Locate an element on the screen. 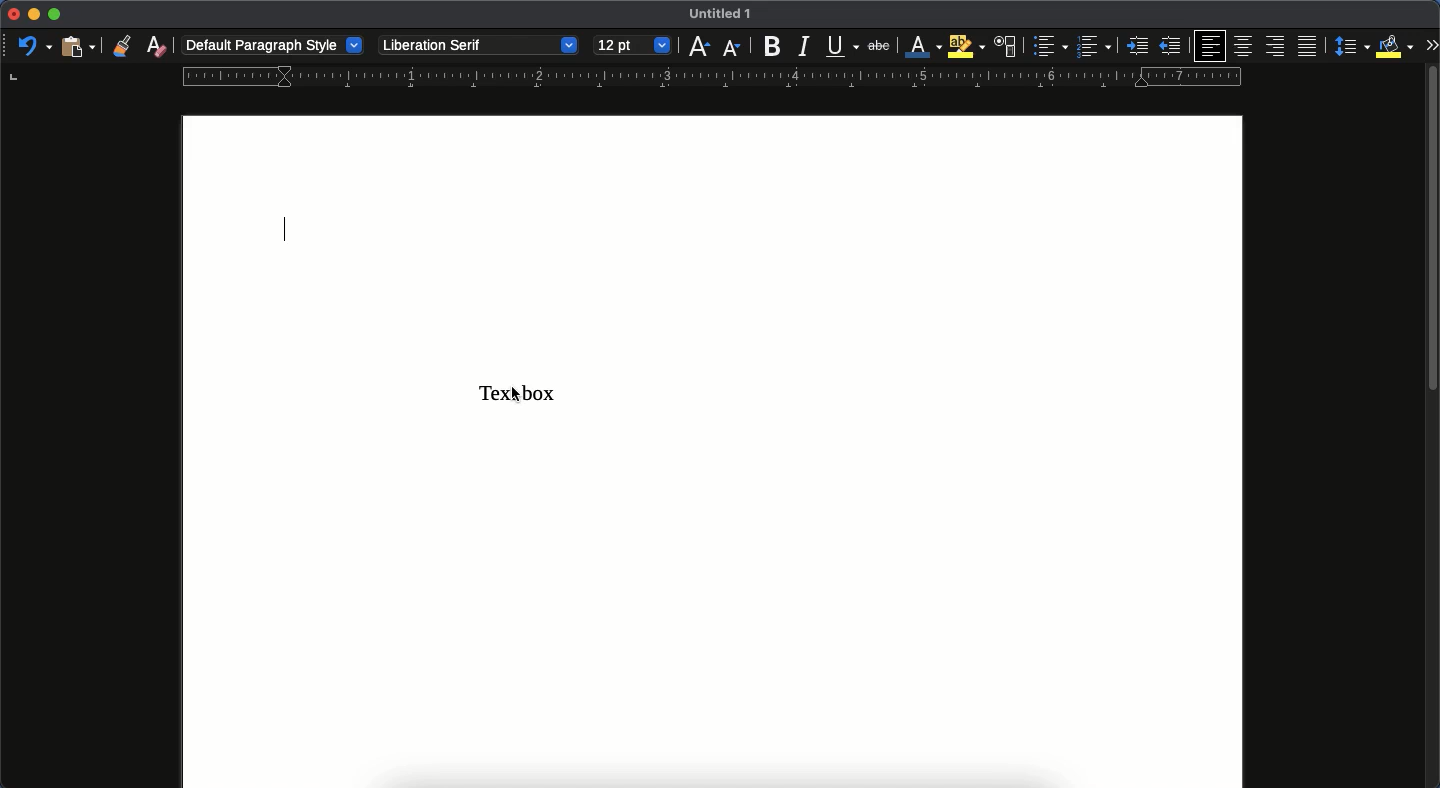 Image resolution: width=1440 pixels, height=788 pixels. cursor is located at coordinates (517, 395).